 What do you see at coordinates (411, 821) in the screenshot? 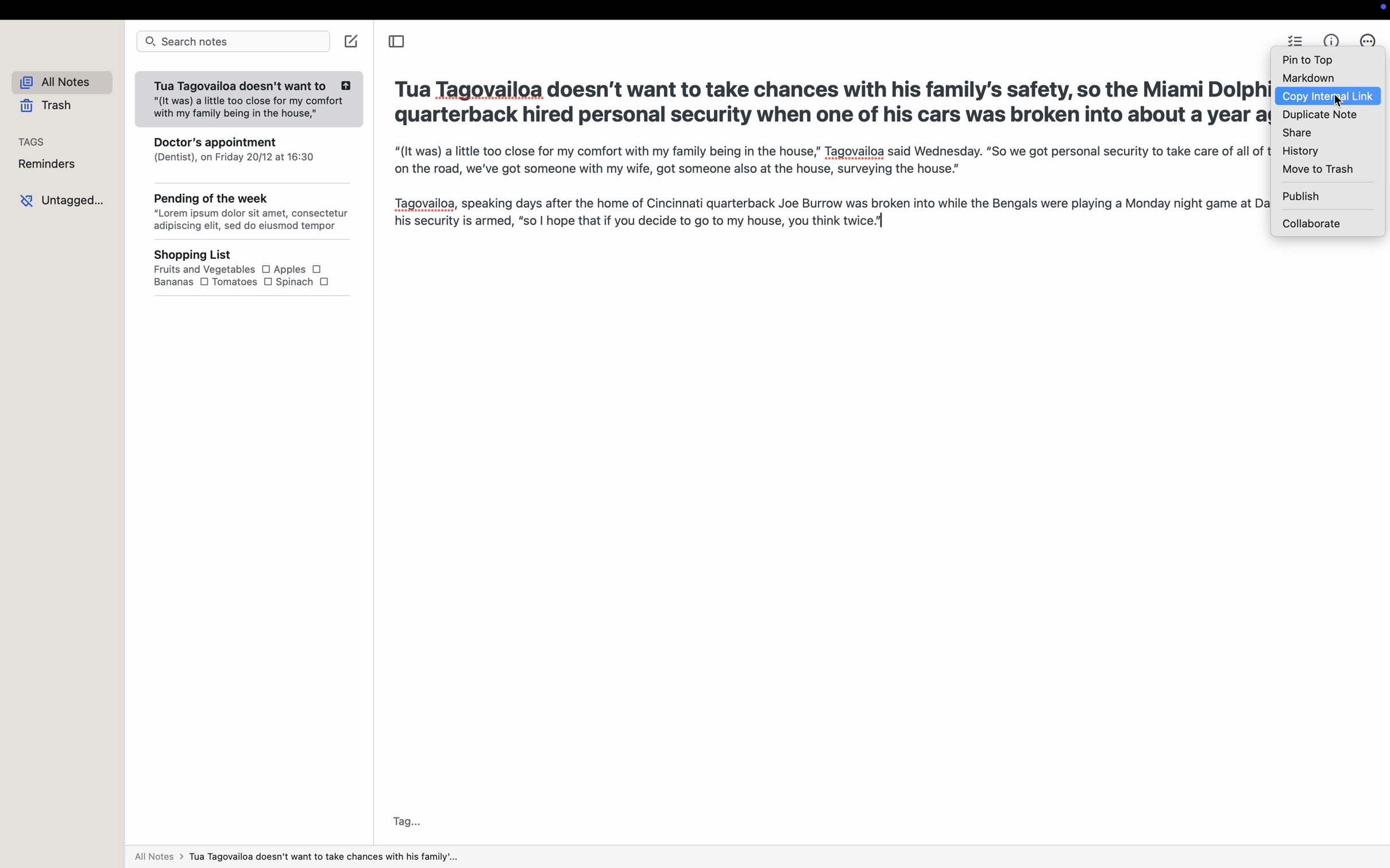
I see `tag` at bounding box center [411, 821].